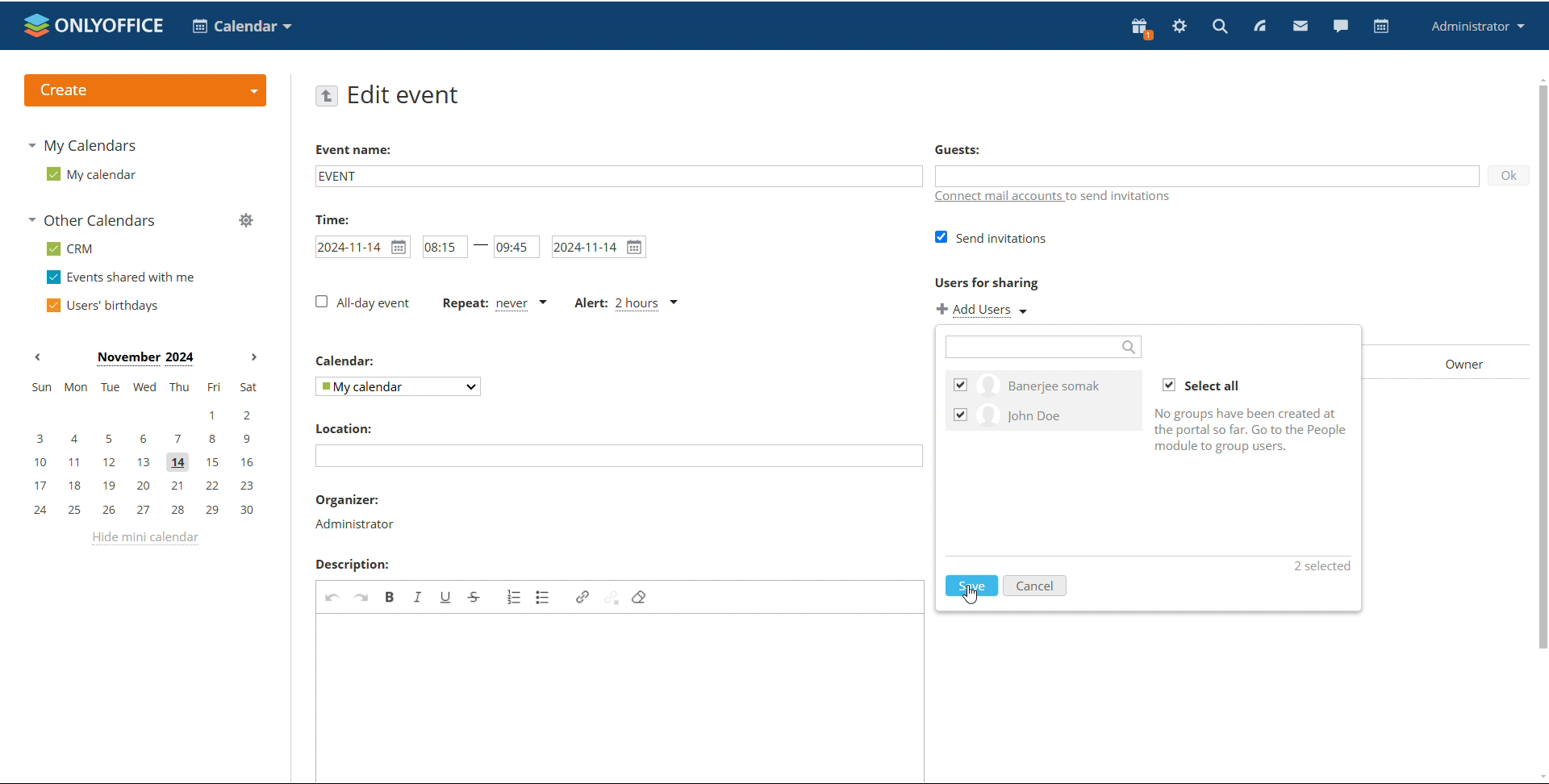  I want to click on send invitations, so click(990, 239).